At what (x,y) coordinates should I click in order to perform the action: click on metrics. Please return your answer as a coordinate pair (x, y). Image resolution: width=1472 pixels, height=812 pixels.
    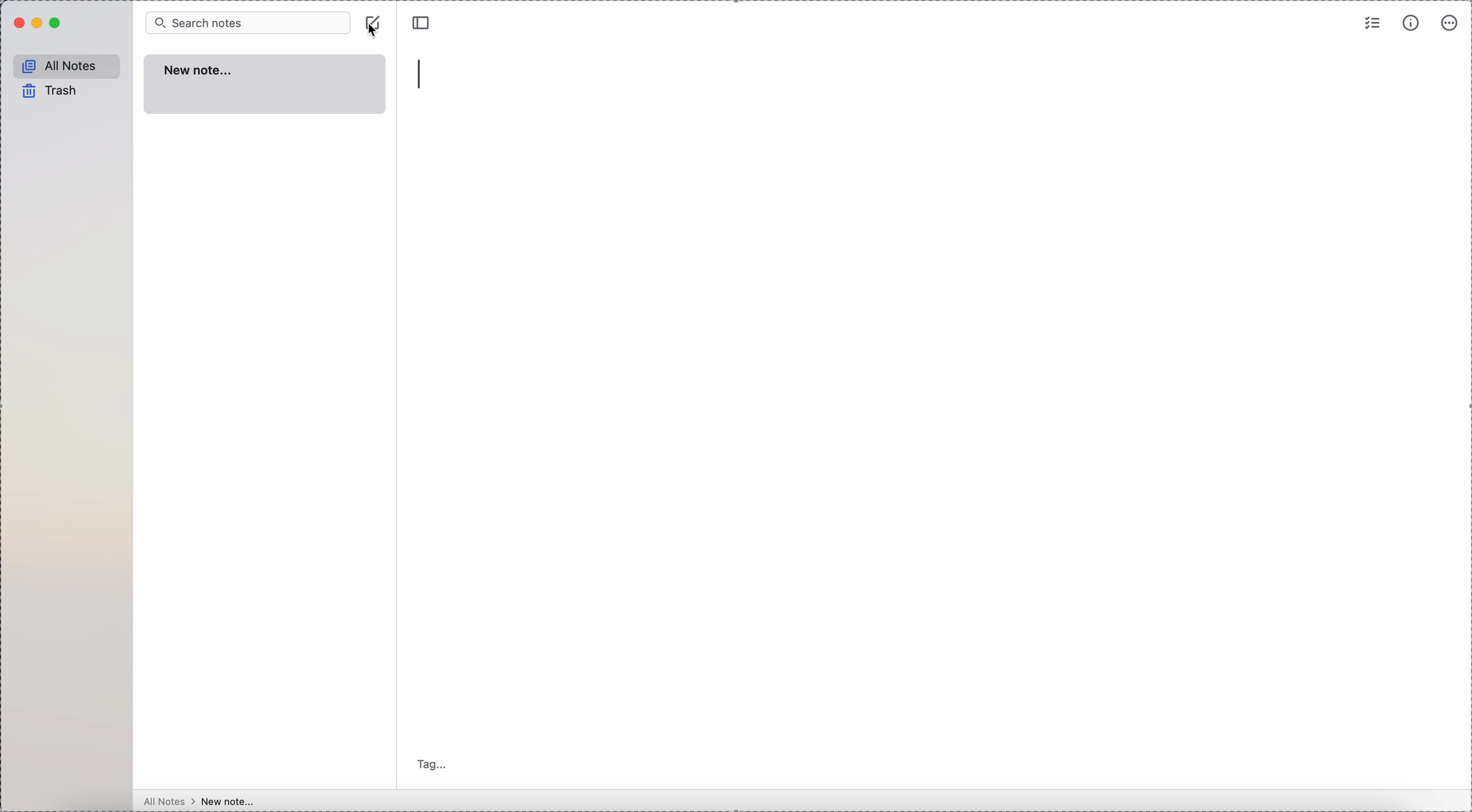
    Looking at the image, I should click on (1413, 23).